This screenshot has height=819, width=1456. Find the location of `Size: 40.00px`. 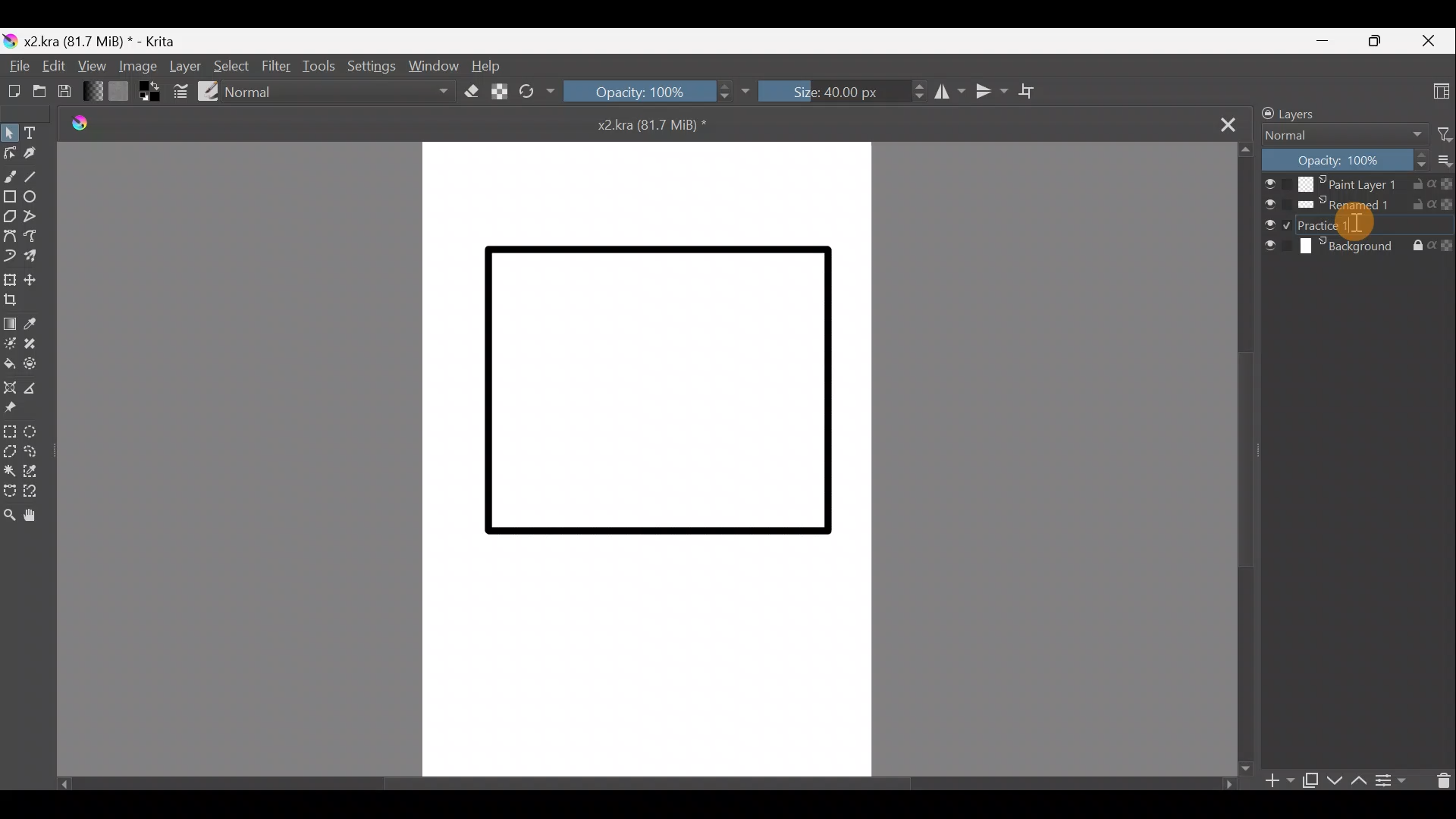

Size: 40.00px is located at coordinates (840, 90).